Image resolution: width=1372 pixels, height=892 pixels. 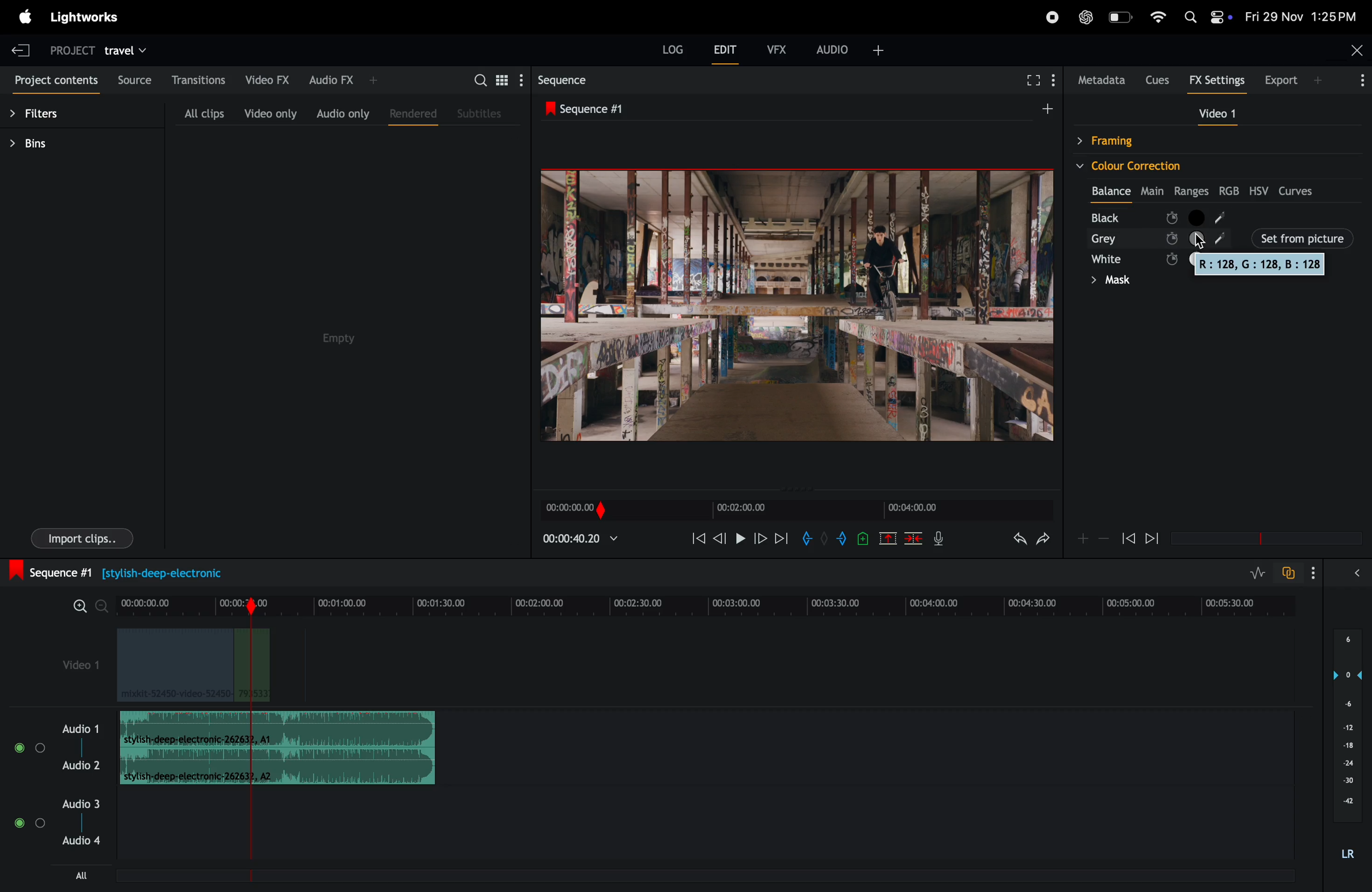 I want to click on vfx, so click(x=777, y=48).